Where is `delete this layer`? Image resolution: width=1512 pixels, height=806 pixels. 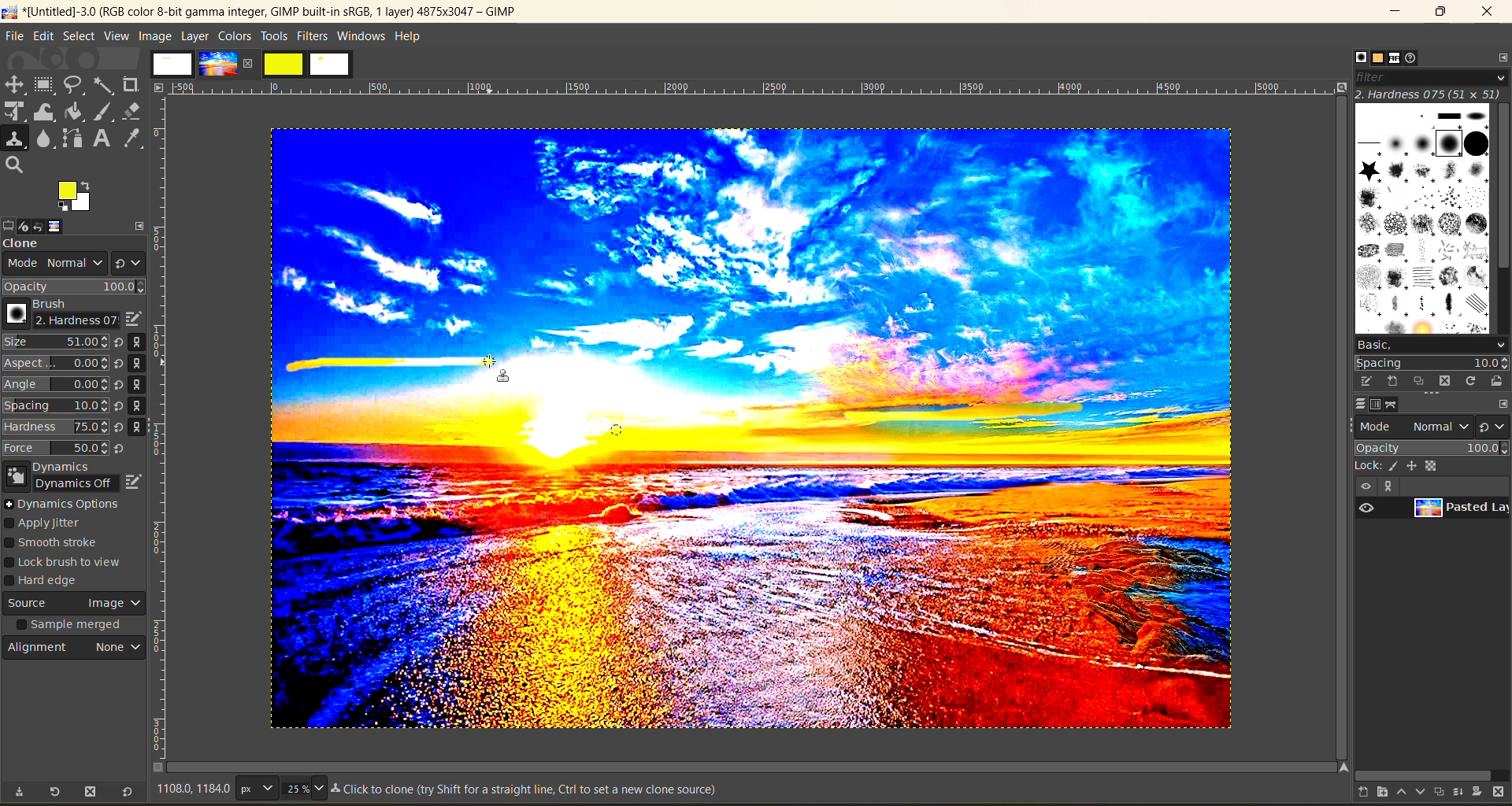
delete this layer is located at coordinates (1503, 793).